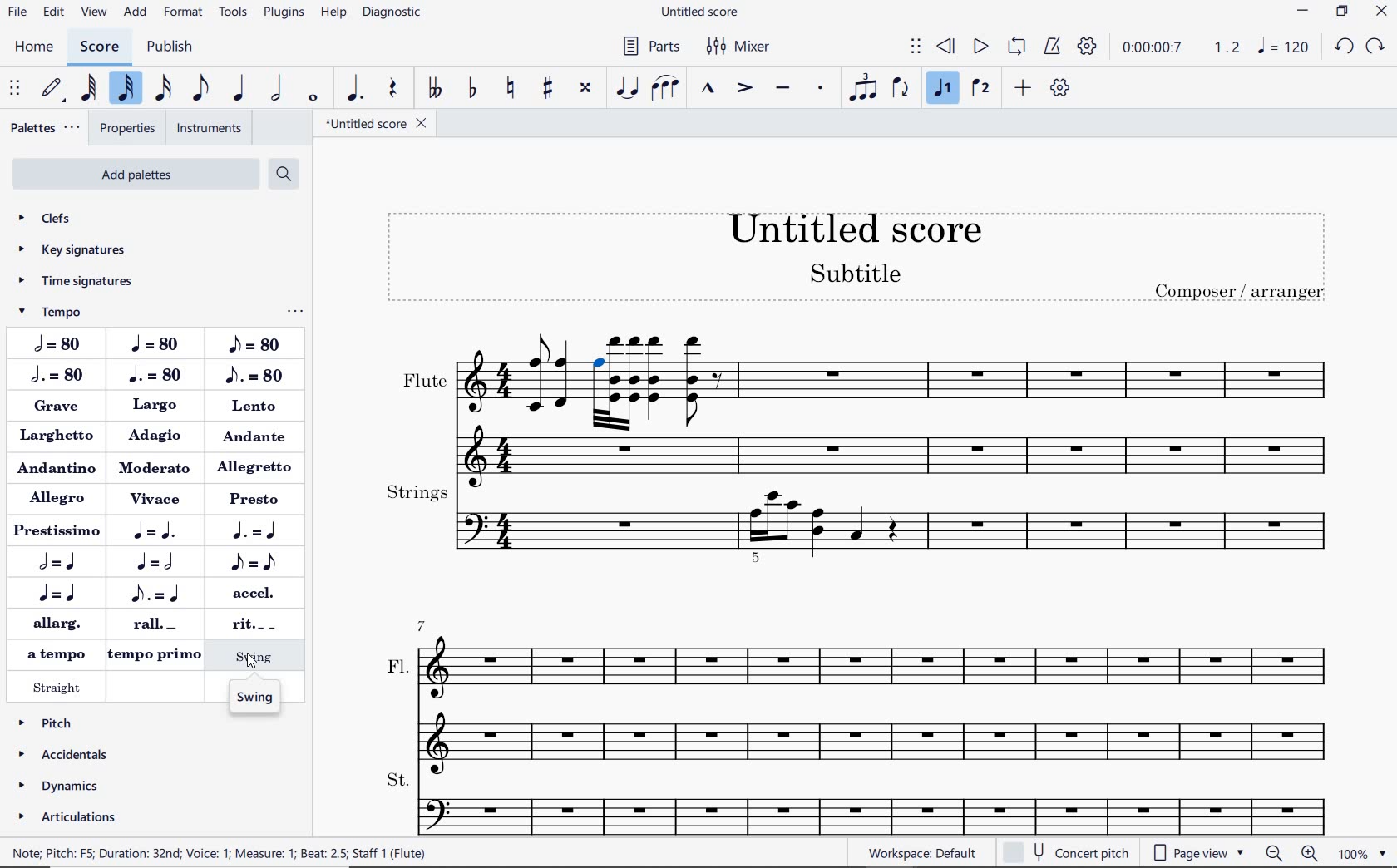  What do you see at coordinates (154, 657) in the screenshot?
I see `TEMPO PRIMO` at bounding box center [154, 657].